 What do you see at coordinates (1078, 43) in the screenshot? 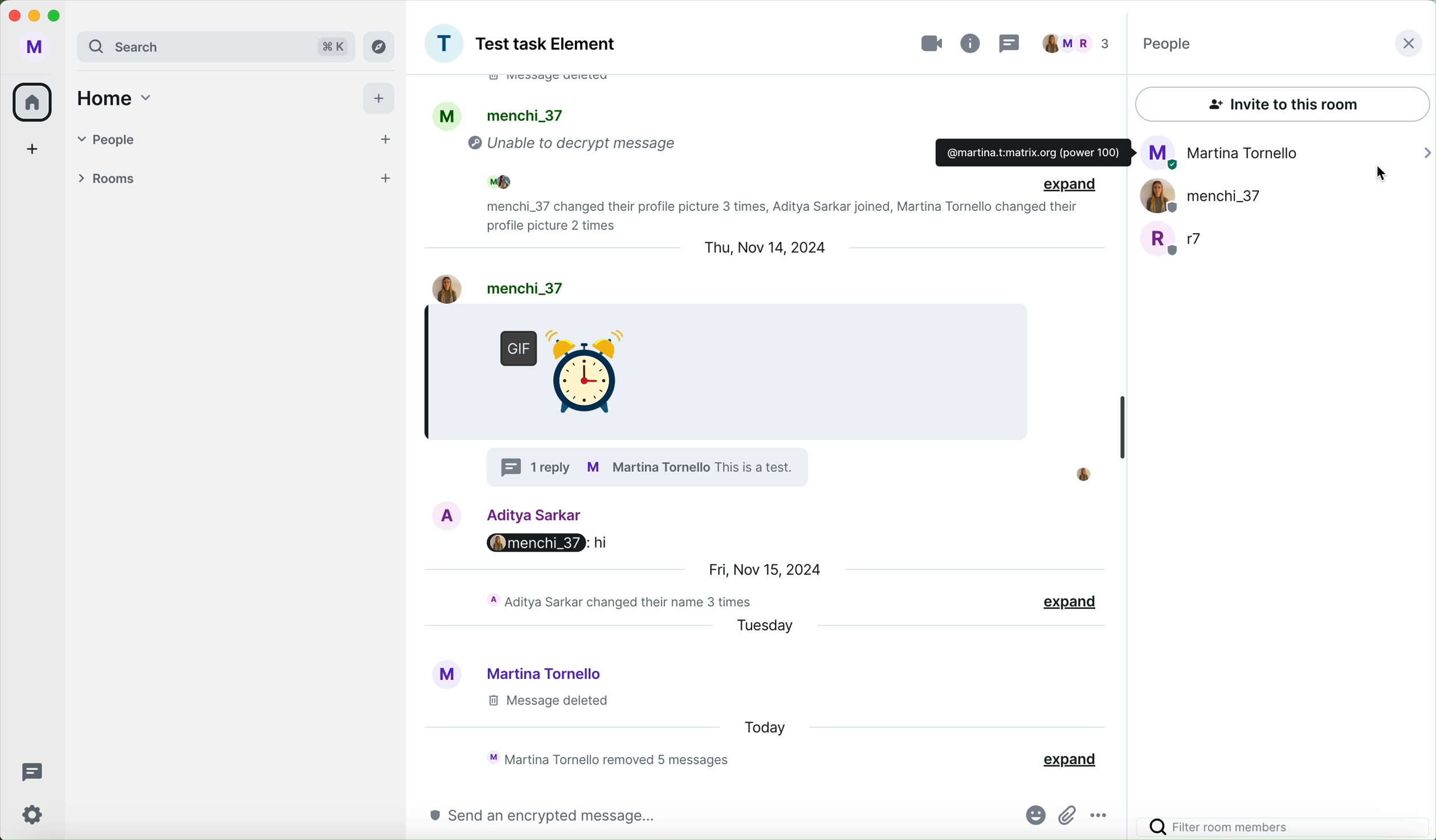
I see `people` at bounding box center [1078, 43].